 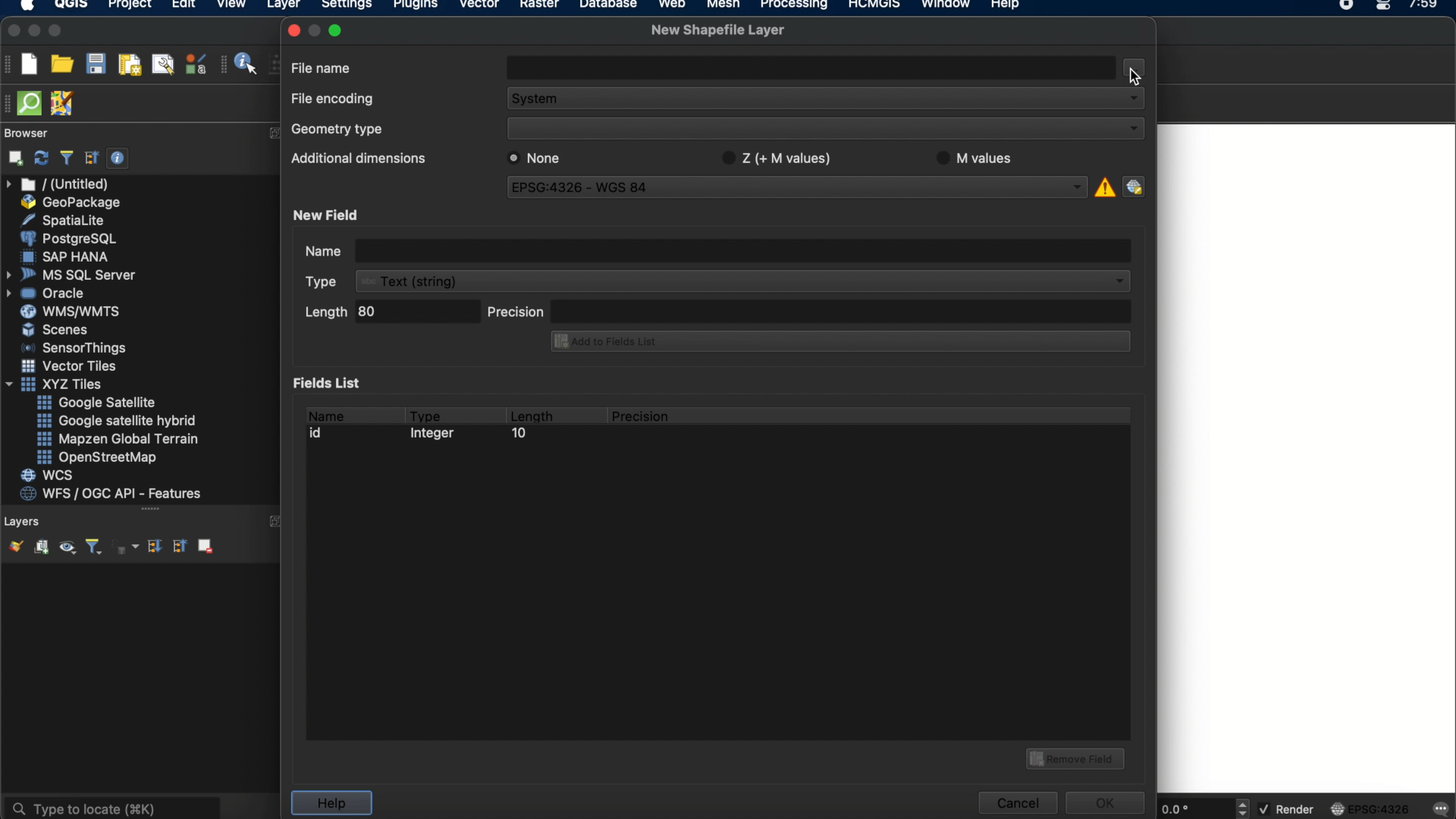 I want to click on vector files, so click(x=71, y=366).